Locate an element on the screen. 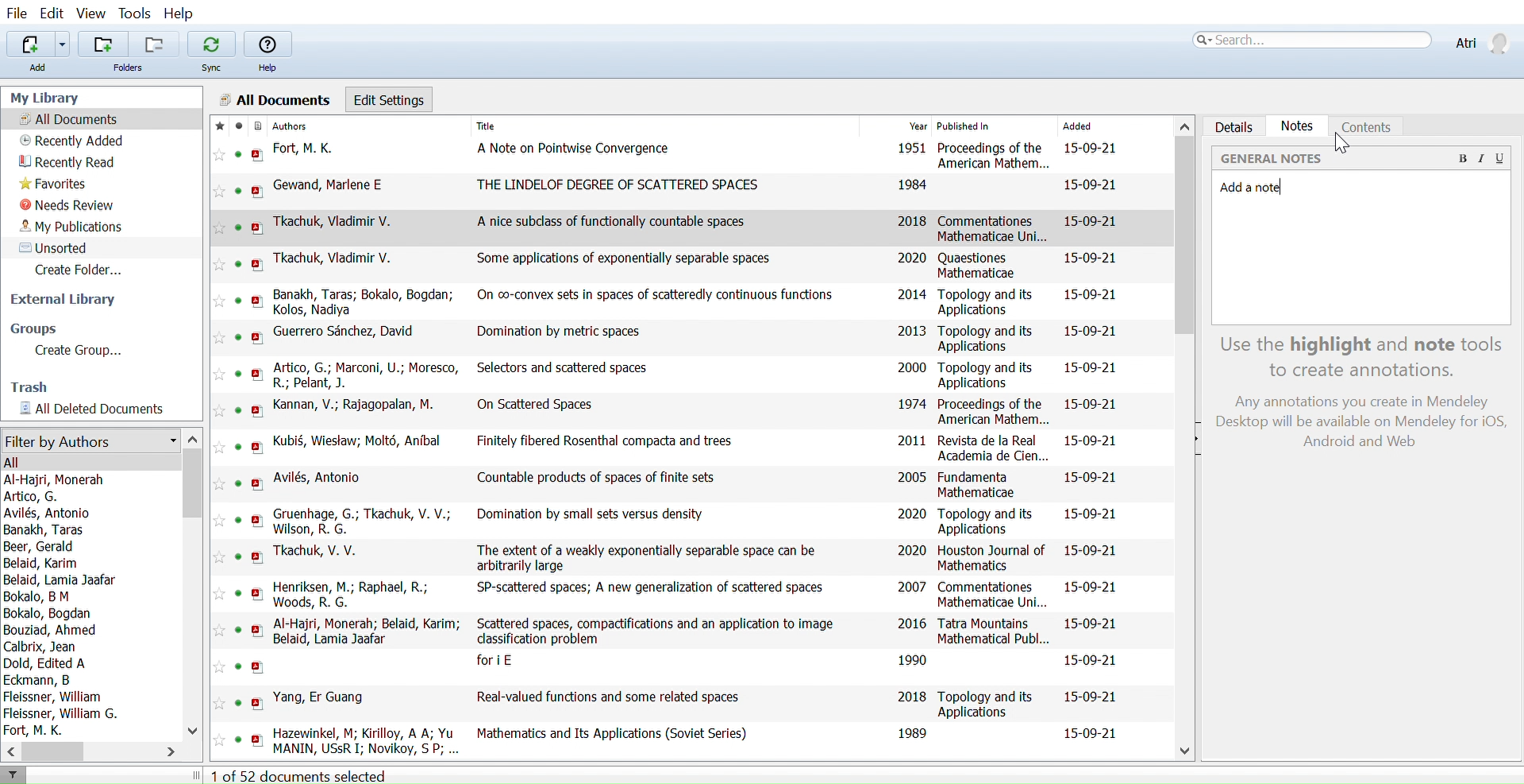 The width and height of the screenshot is (1524, 784). 2018 is located at coordinates (913, 221).